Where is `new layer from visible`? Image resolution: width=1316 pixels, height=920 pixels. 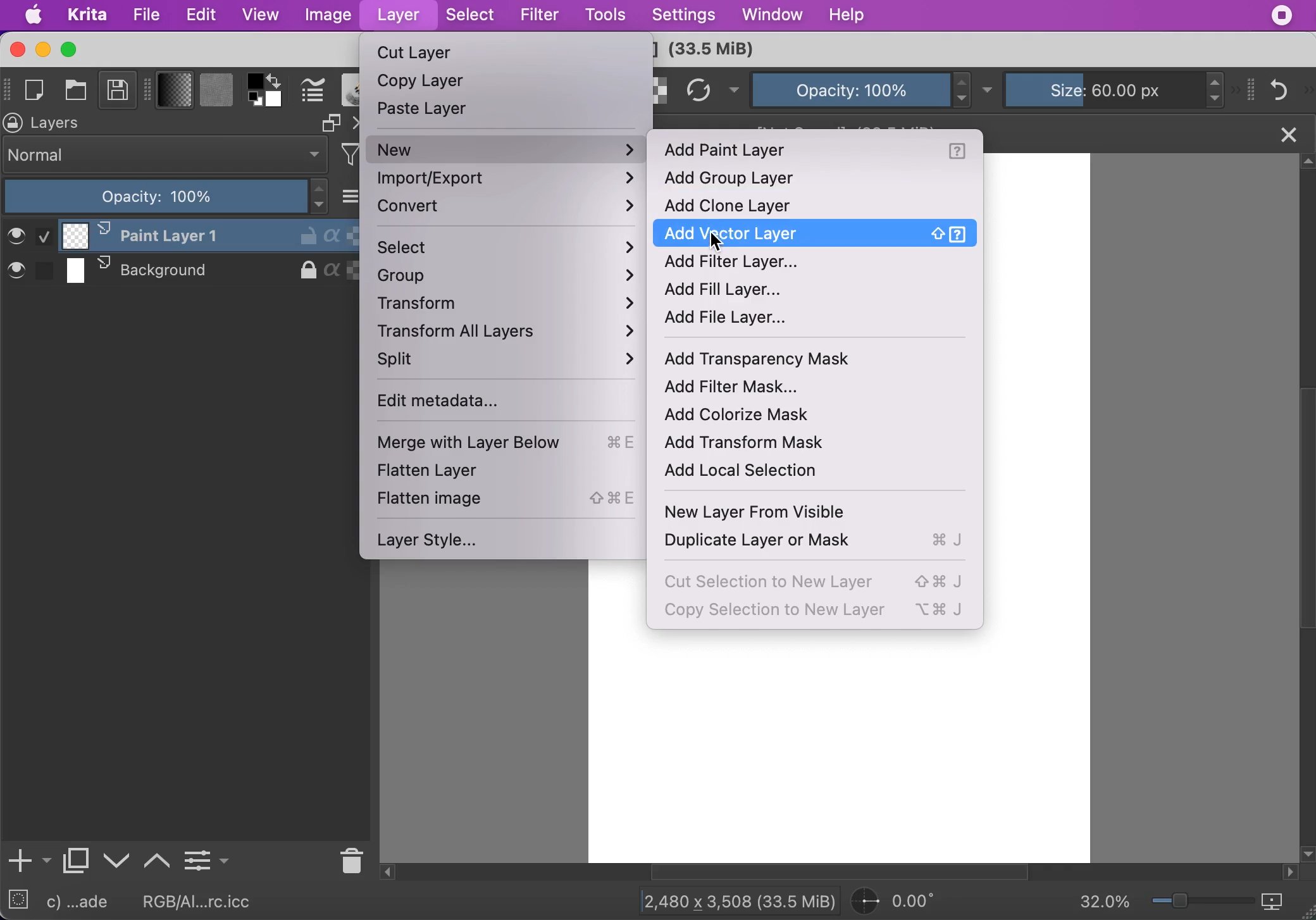
new layer from visible is located at coordinates (765, 514).